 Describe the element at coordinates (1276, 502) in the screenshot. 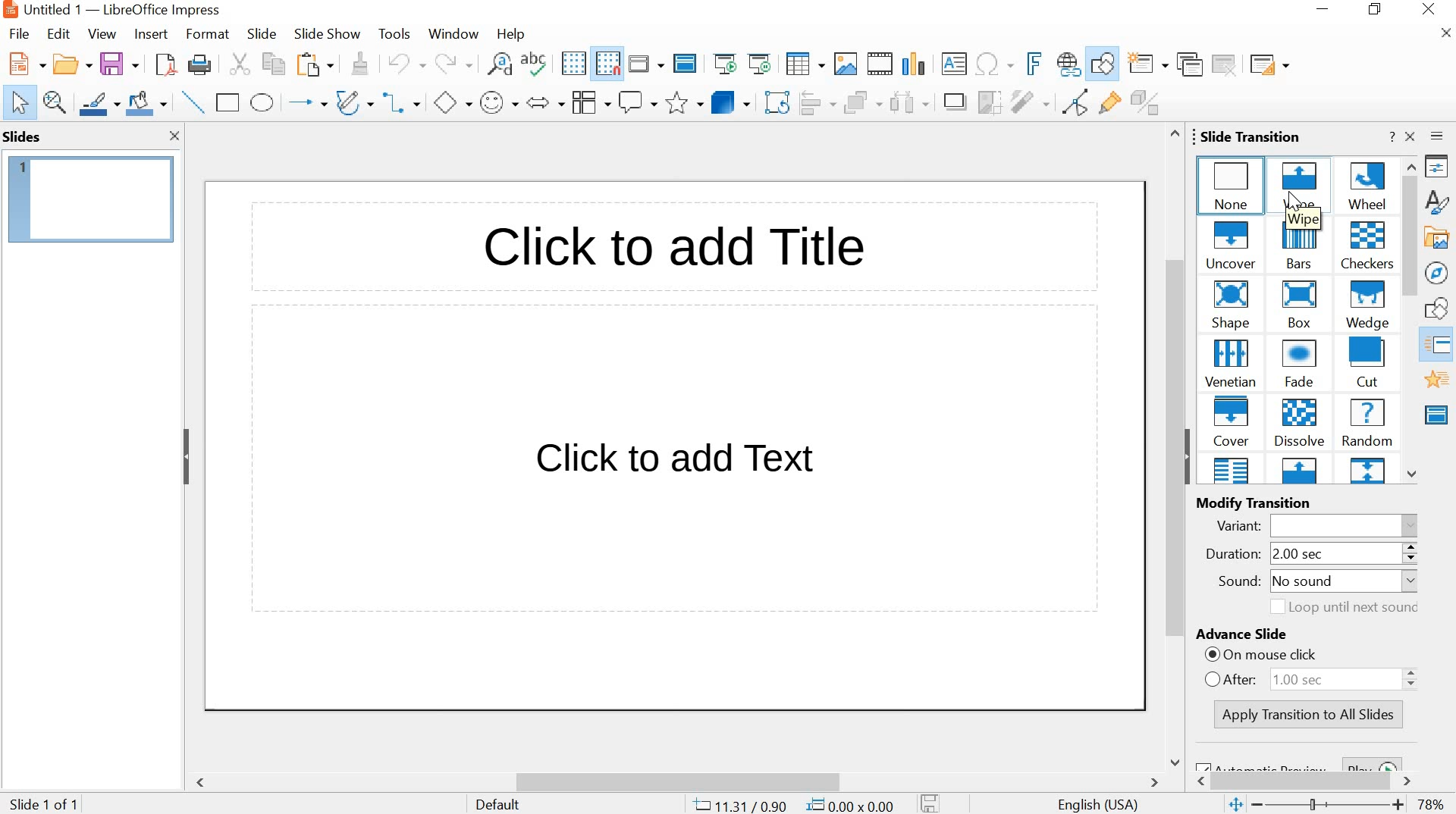

I see `modify transition` at that location.